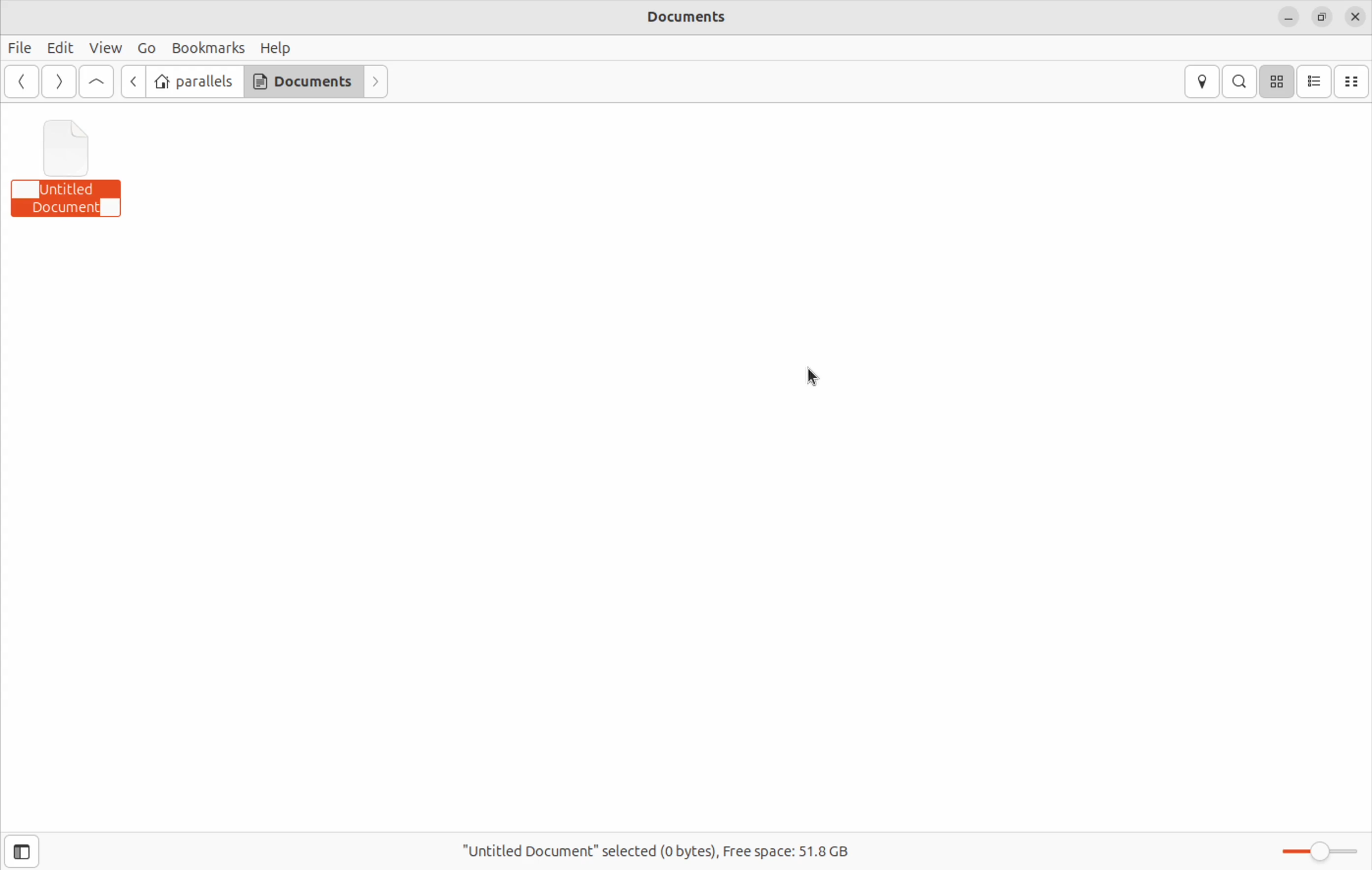 The height and width of the screenshot is (870, 1372). What do you see at coordinates (823, 377) in the screenshot?
I see `cursor` at bounding box center [823, 377].